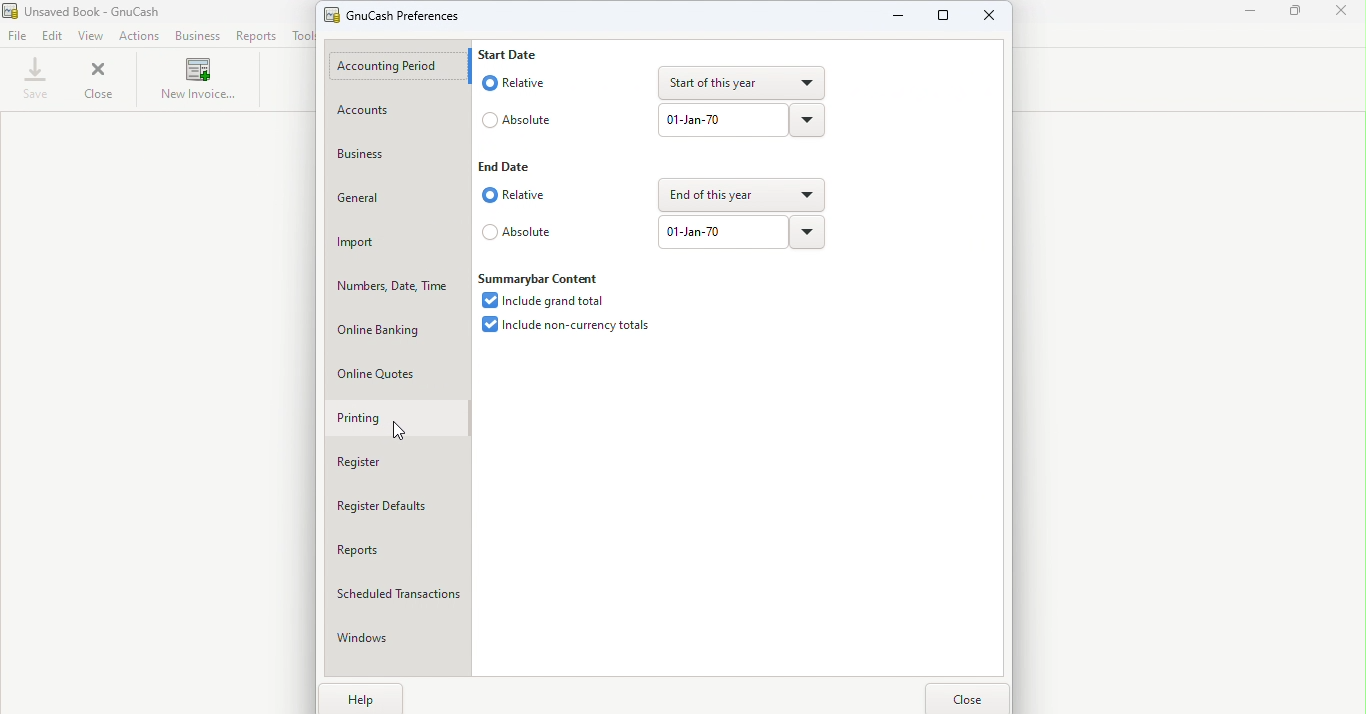  Describe the element at coordinates (400, 463) in the screenshot. I see `Register` at that location.